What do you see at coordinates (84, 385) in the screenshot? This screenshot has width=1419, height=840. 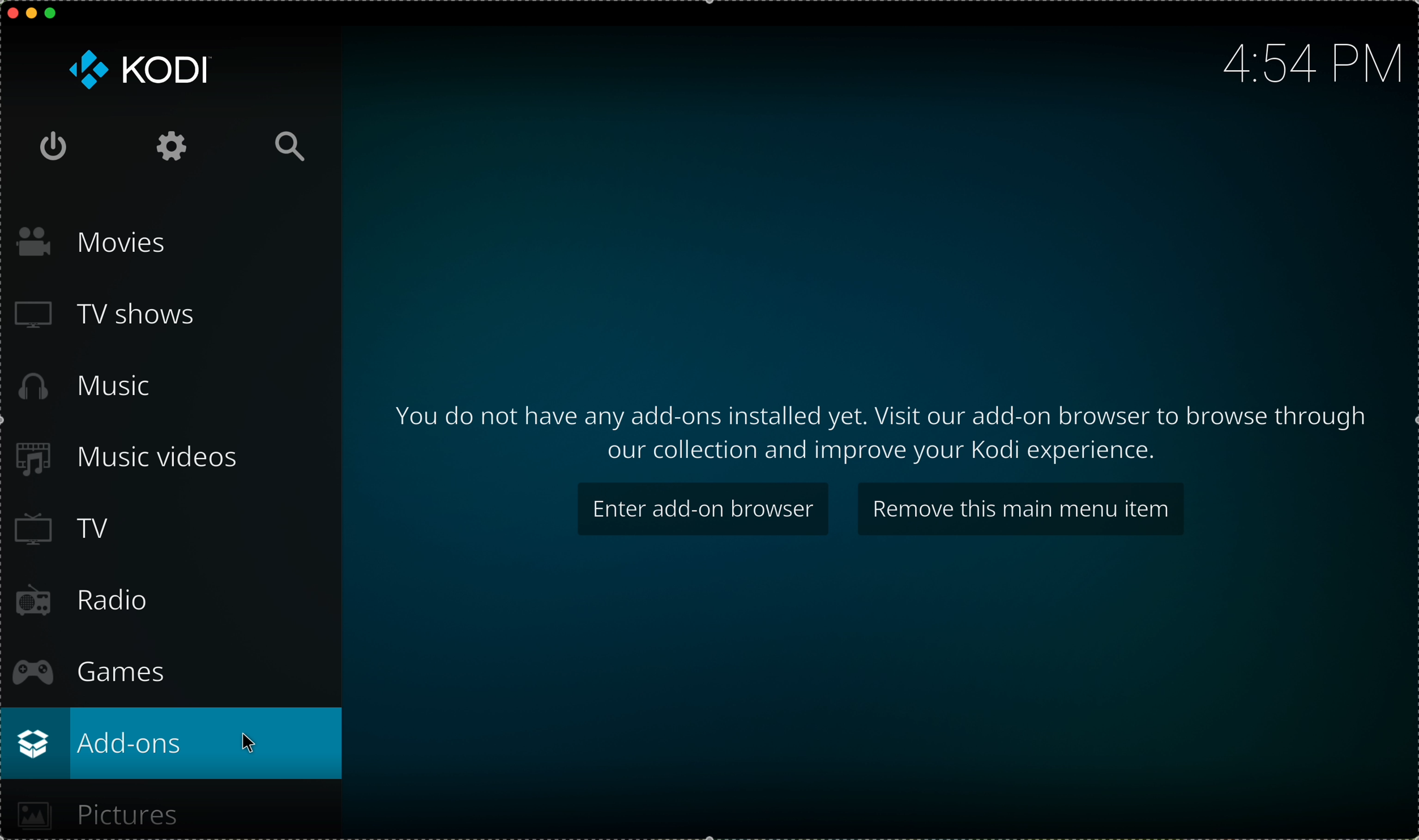 I see `music` at bounding box center [84, 385].